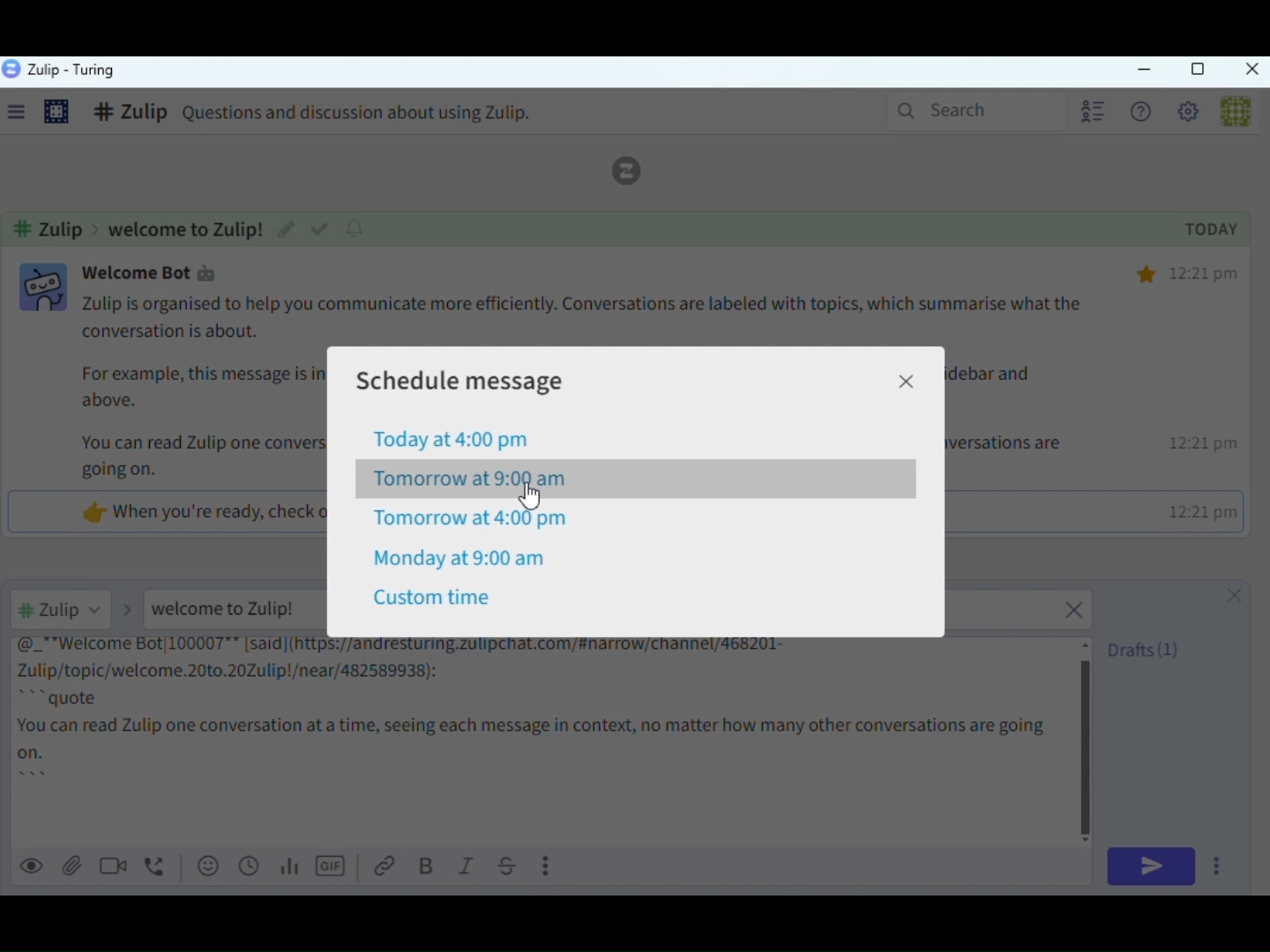 This screenshot has width=1270, height=952. What do you see at coordinates (207, 866) in the screenshot?
I see `Emoji` at bounding box center [207, 866].